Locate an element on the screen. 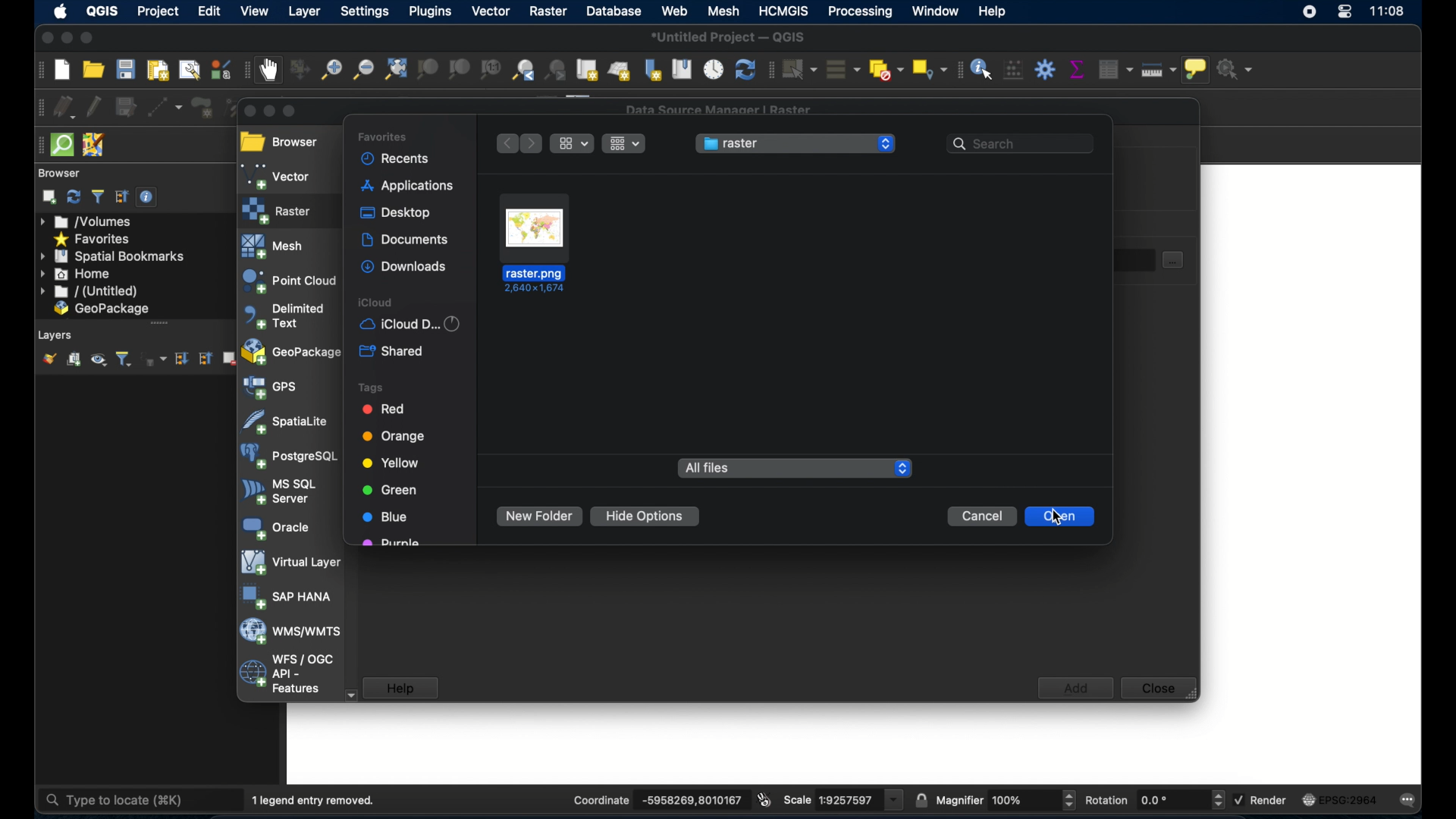  open project is located at coordinates (95, 69).